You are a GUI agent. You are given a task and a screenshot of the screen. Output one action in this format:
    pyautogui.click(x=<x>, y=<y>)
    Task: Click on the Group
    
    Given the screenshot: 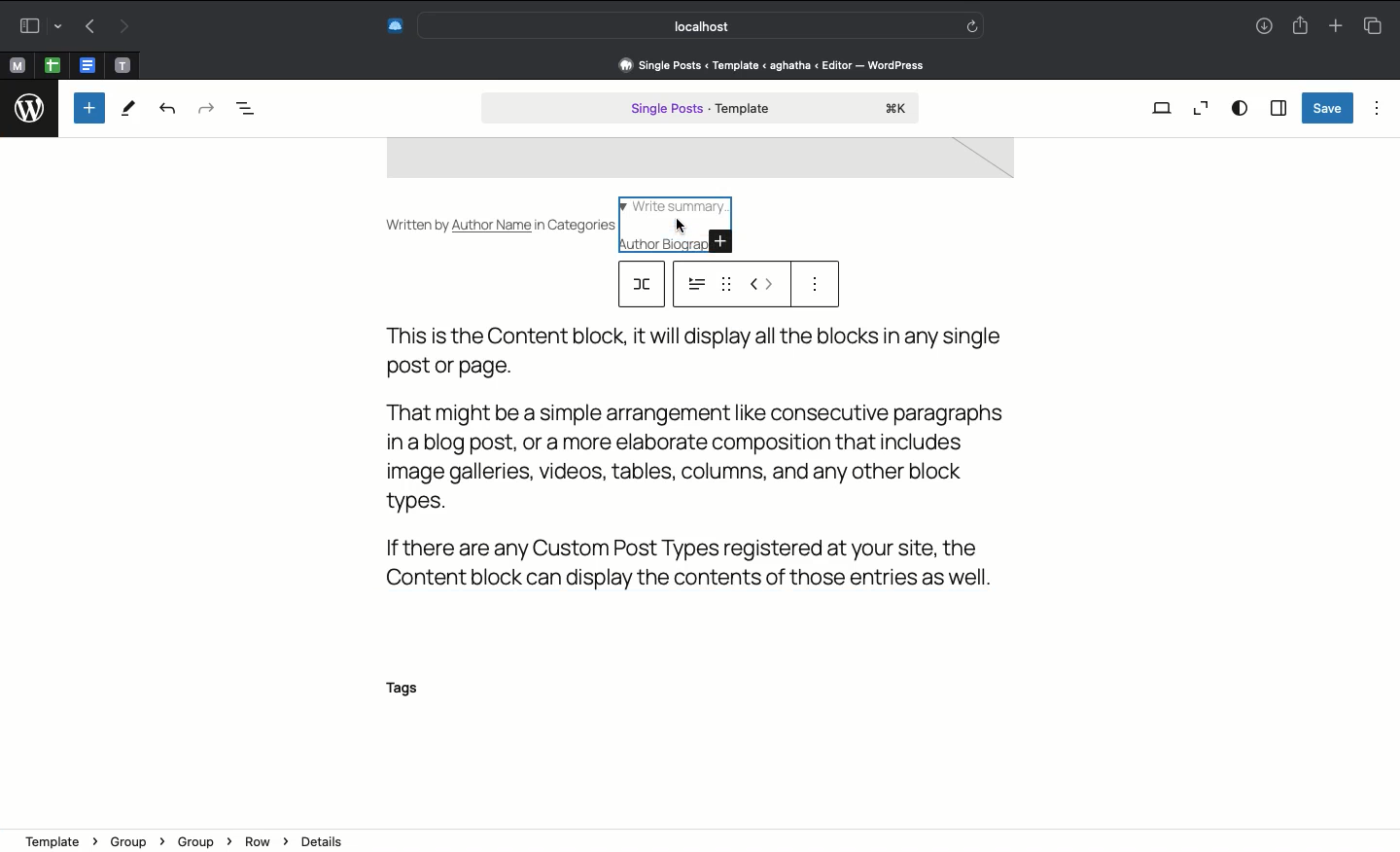 What is the action you would take?
    pyautogui.click(x=134, y=839)
    